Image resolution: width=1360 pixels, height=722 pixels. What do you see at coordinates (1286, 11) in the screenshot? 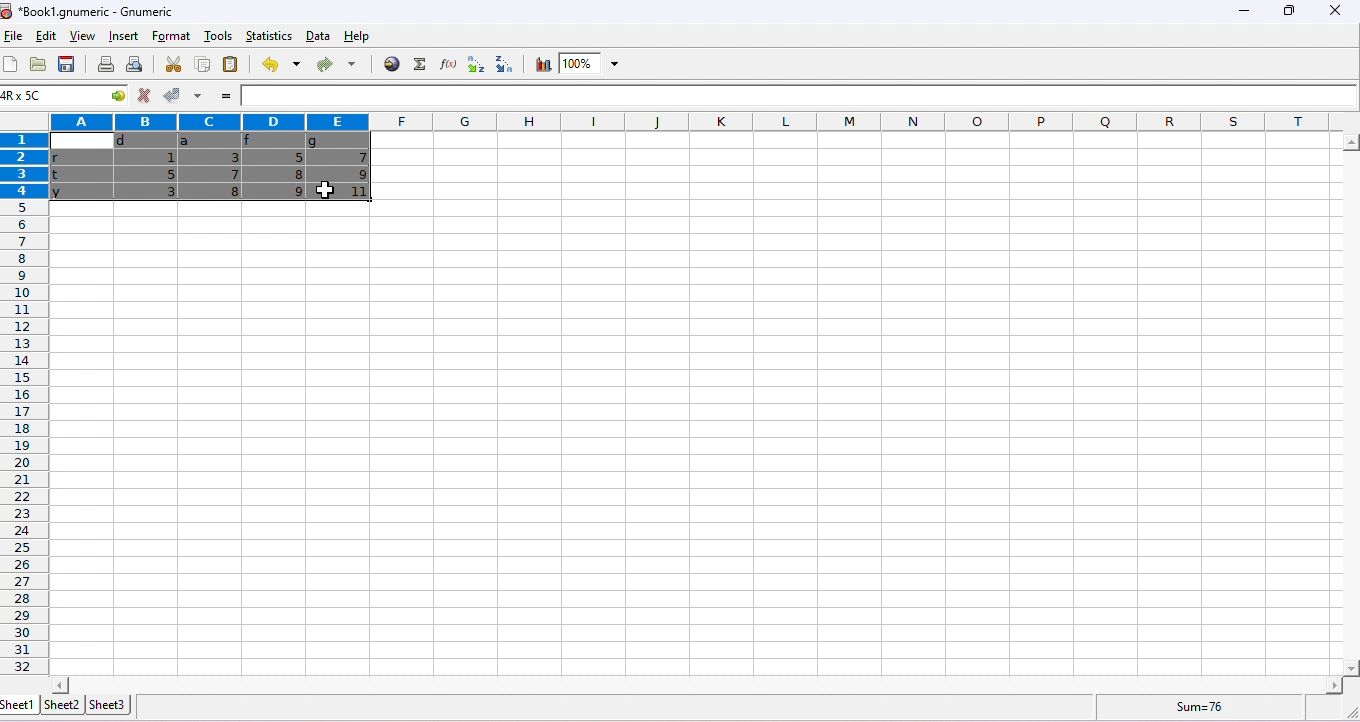
I see `maximize` at bounding box center [1286, 11].